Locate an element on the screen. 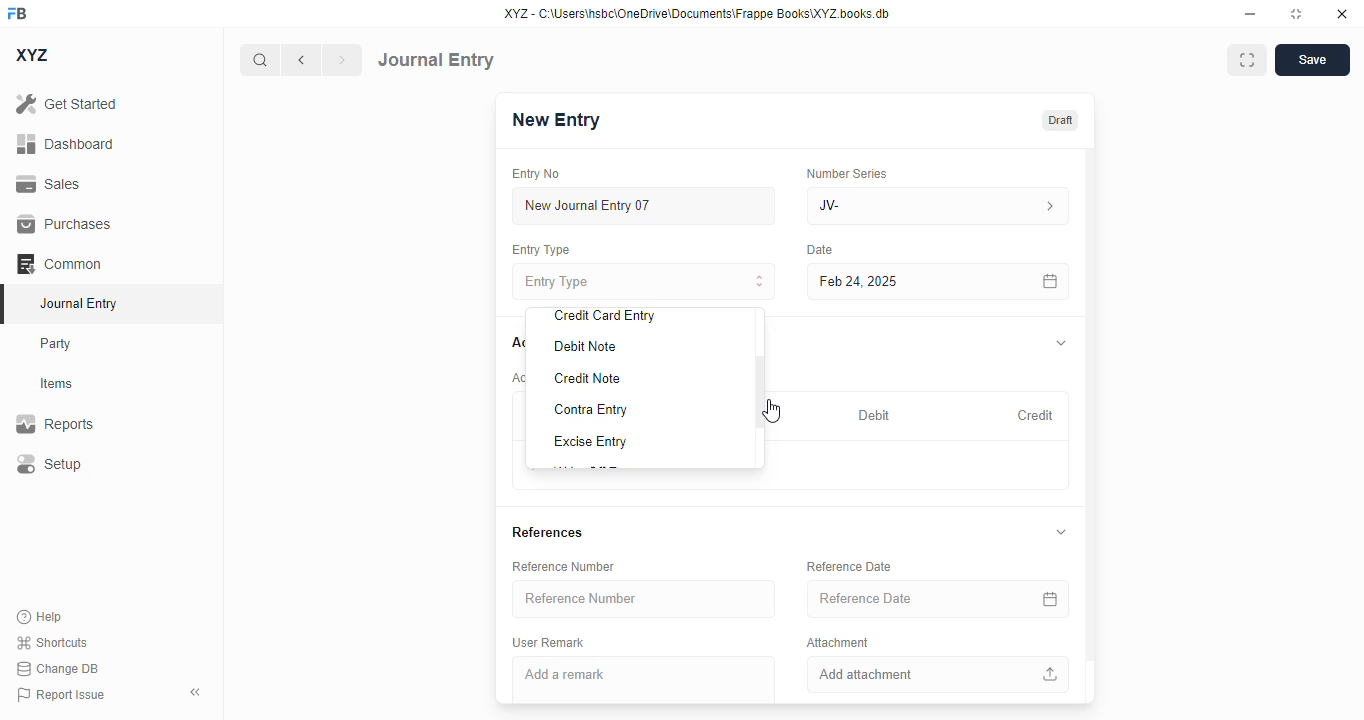 The image size is (1364, 720). reference number is located at coordinates (564, 566).